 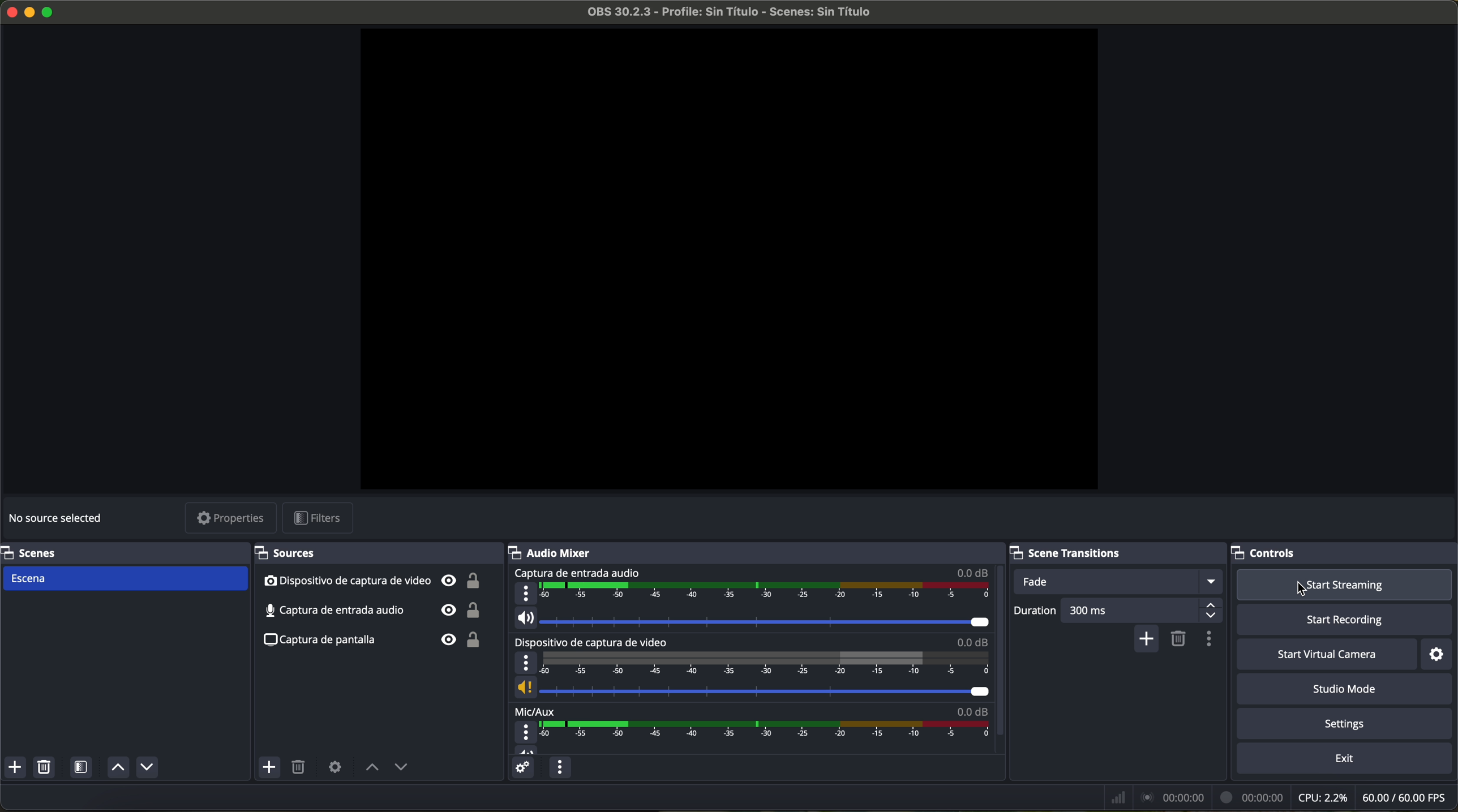 I want to click on duration, so click(x=1033, y=611).